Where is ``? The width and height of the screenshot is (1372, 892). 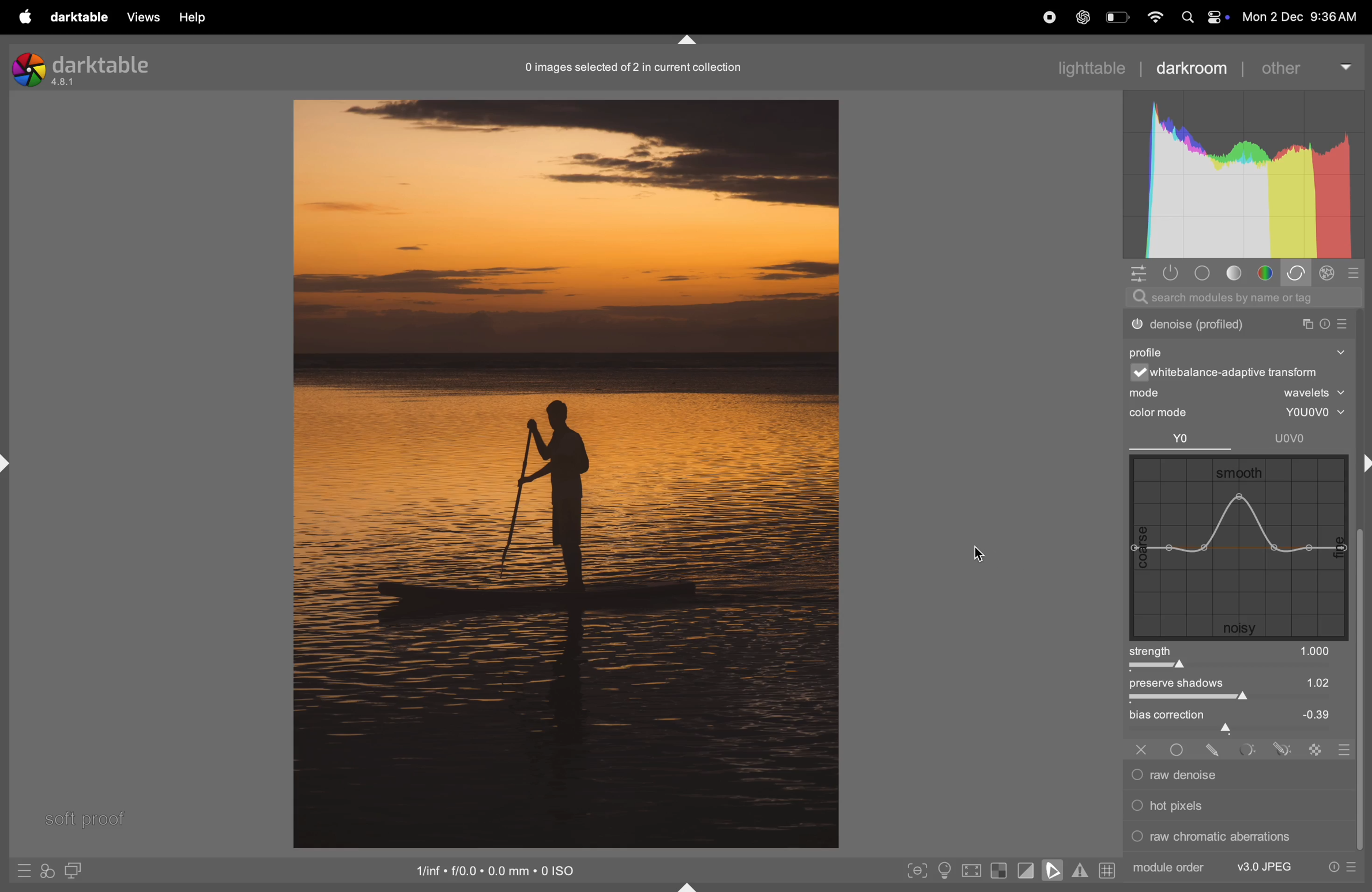  is located at coordinates (1246, 749).